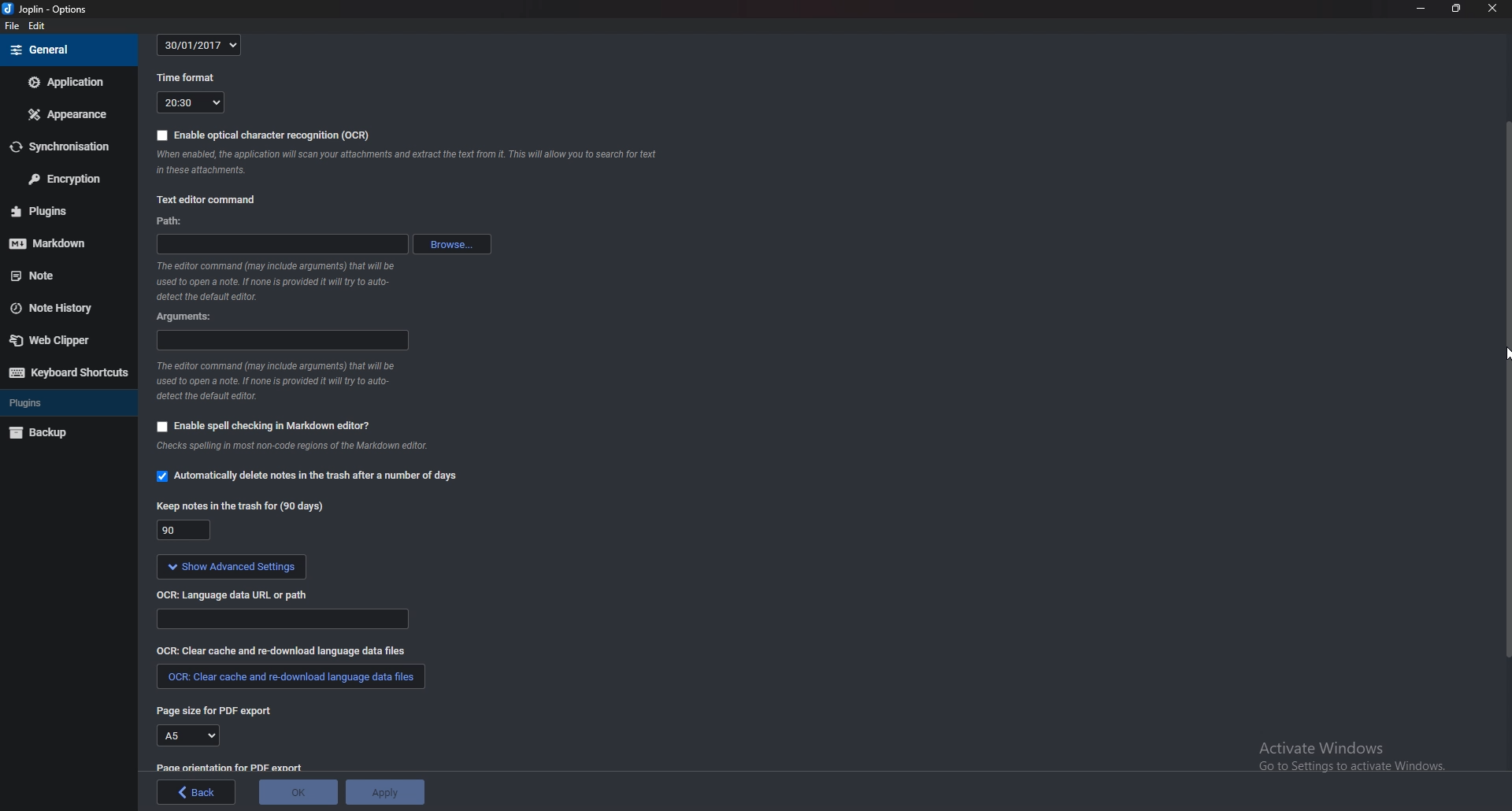 The image size is (1512, 811). Describe the element at coordinates (185, 317) in the screenshot. I see `Arguments` at that location.